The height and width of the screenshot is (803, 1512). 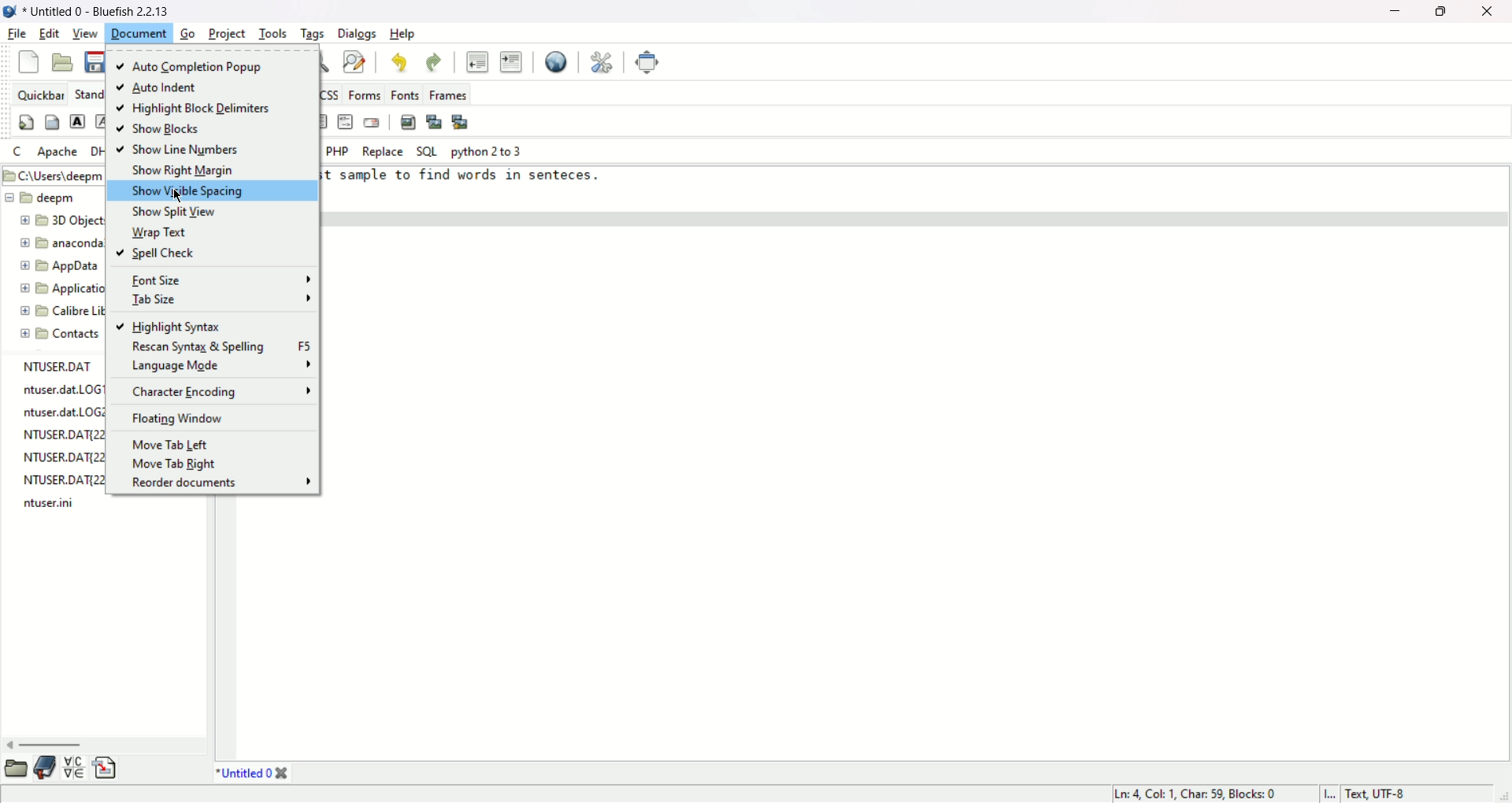 I want to click on indent, so click(x=513, y=61).